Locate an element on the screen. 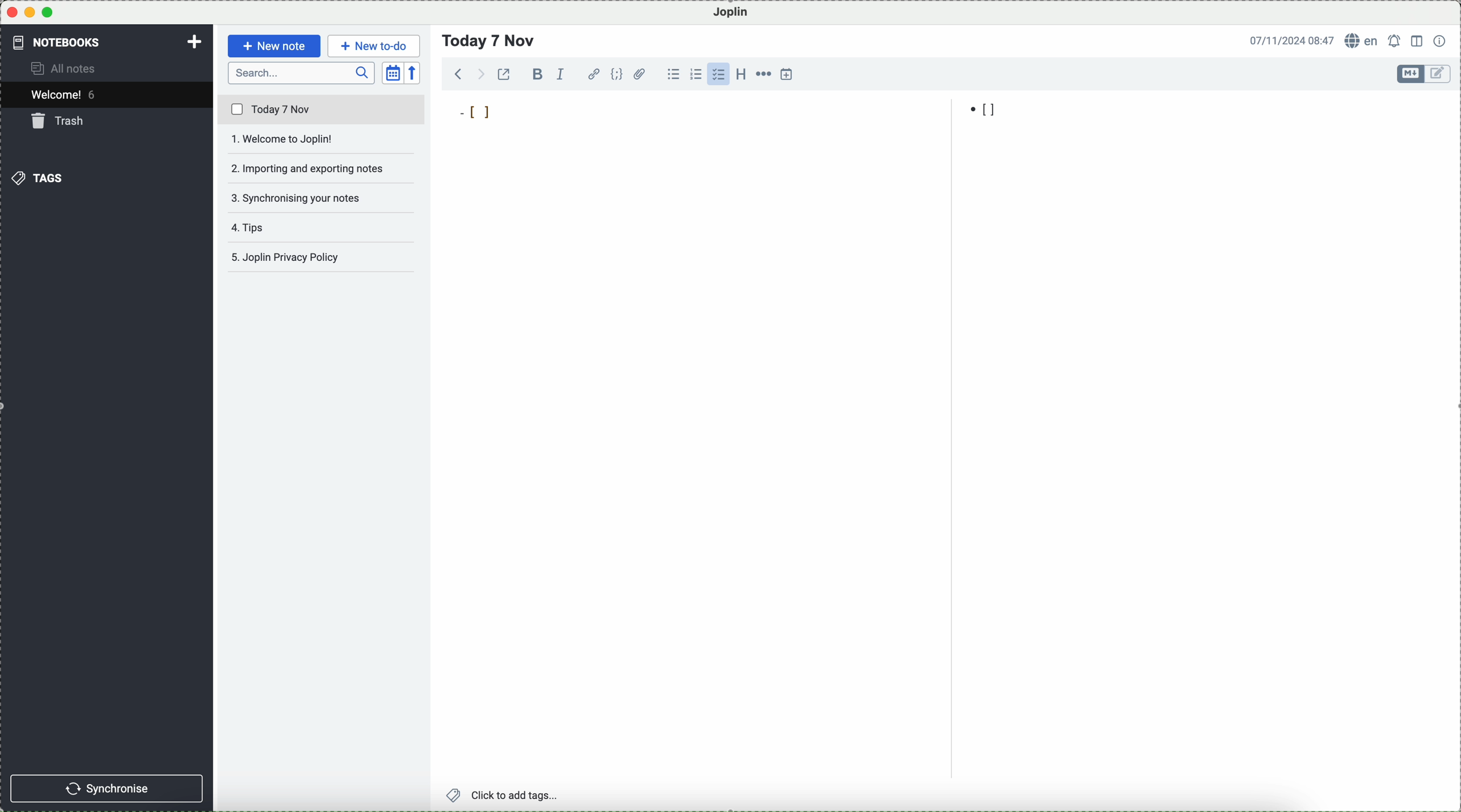  Joplin privacy policy is located at coordinates (316, 257).